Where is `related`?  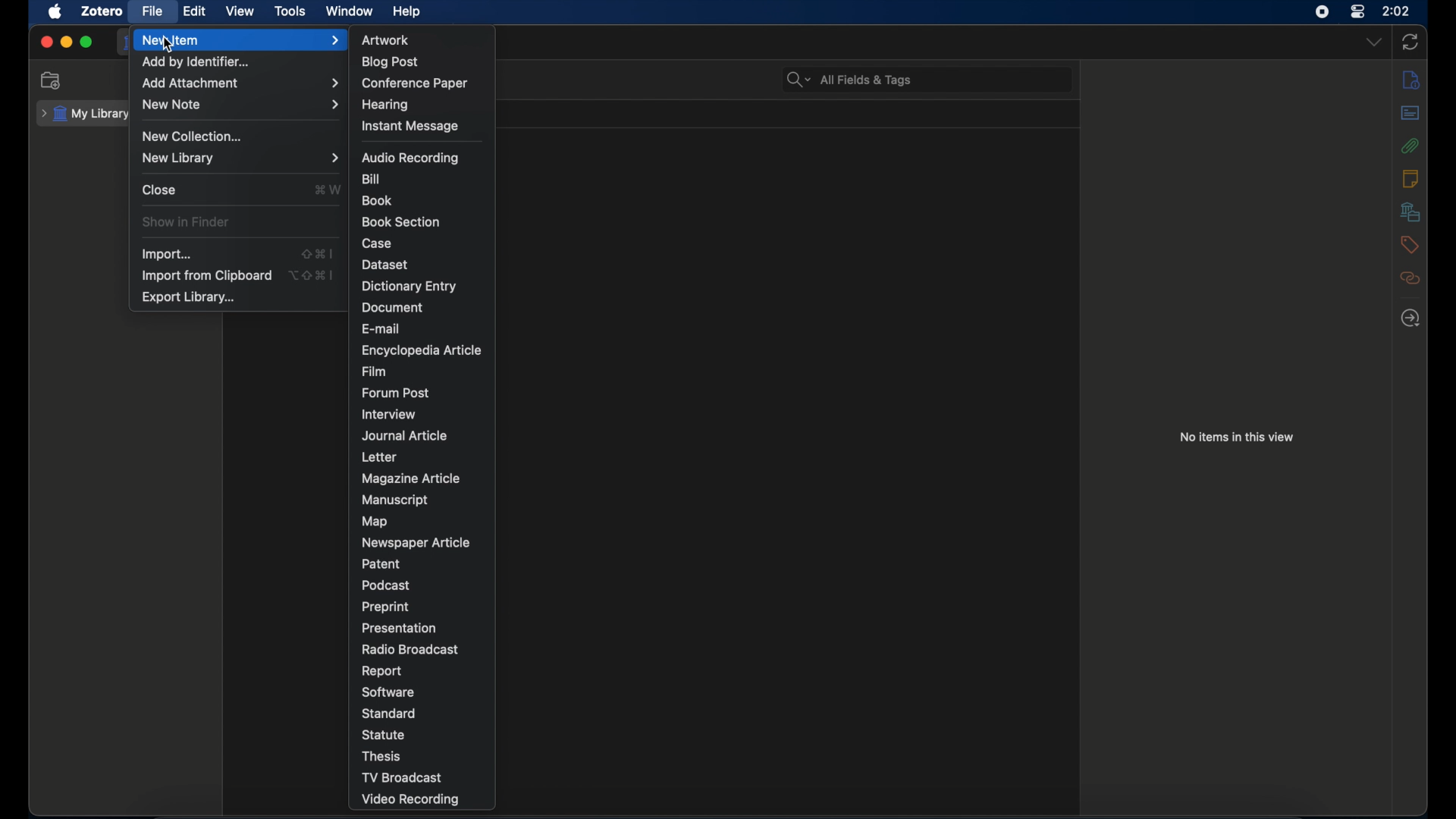 related is located at coordinates (1409, 278).